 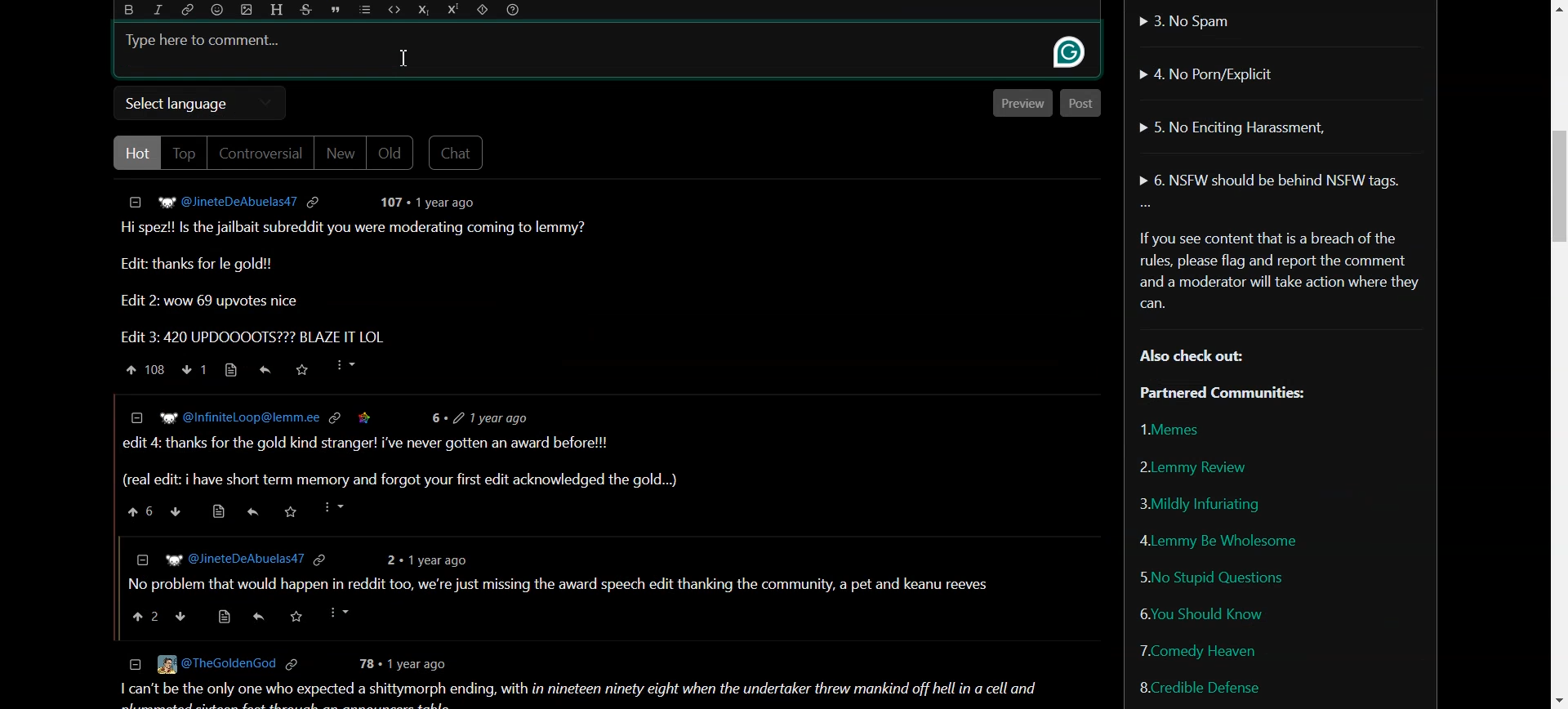 What do you see at coordinates (158, 10) in the screenshot?
I see `Italic` at bounding box center [158, 10].